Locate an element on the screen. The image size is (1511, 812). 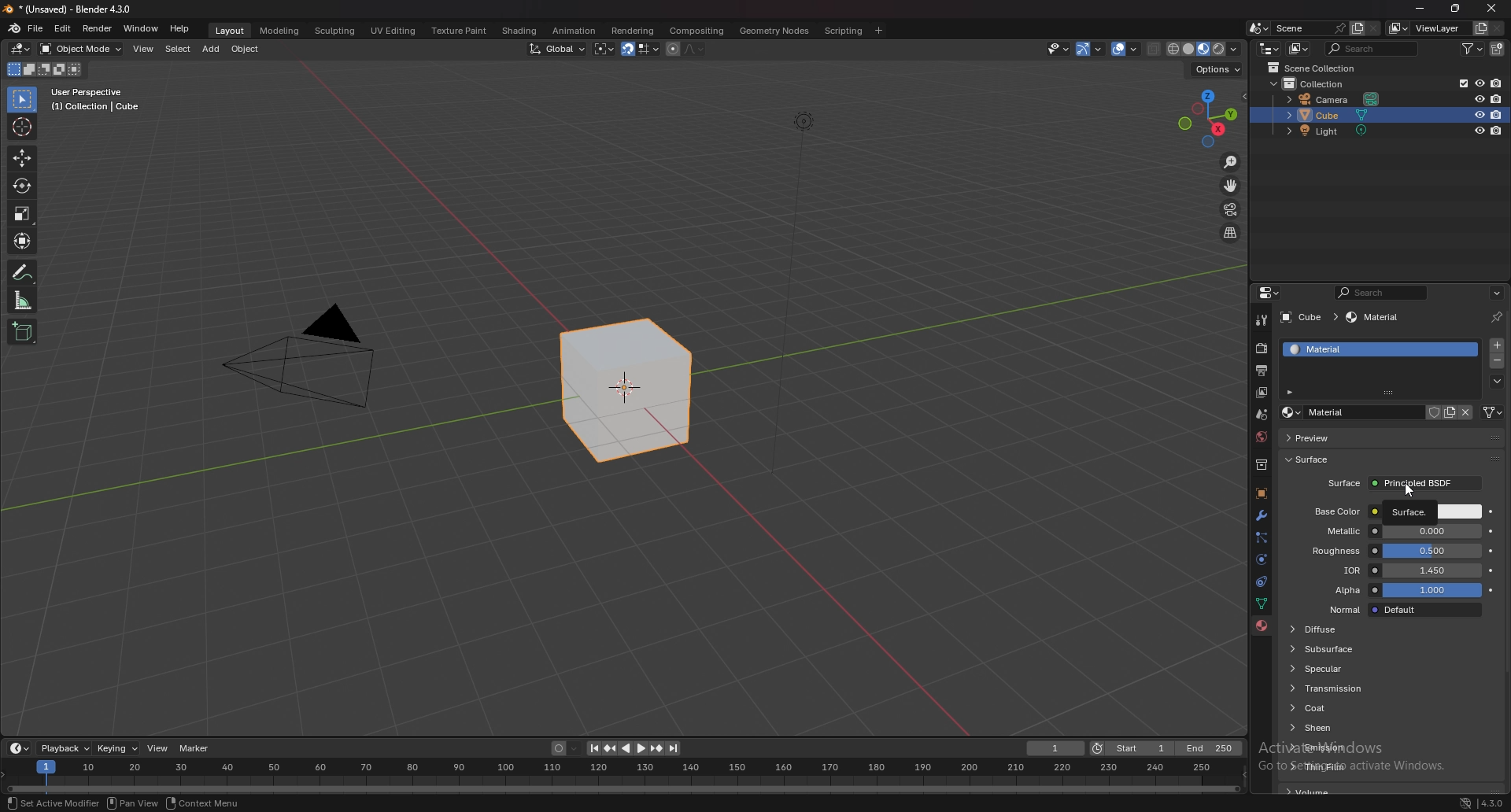
uv editing is located at coordinates (392, 30).